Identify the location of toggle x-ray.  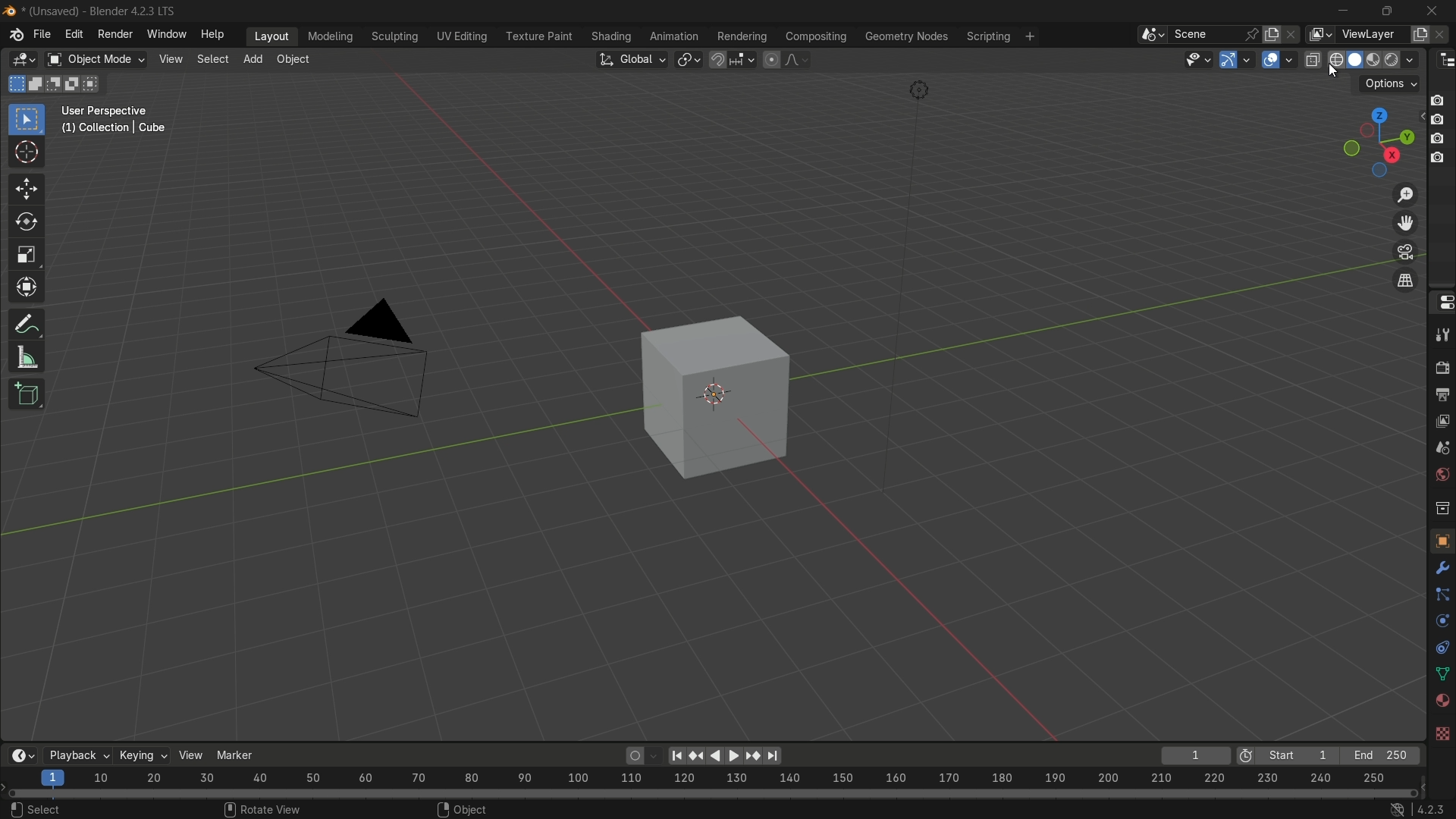
(1313, 58).